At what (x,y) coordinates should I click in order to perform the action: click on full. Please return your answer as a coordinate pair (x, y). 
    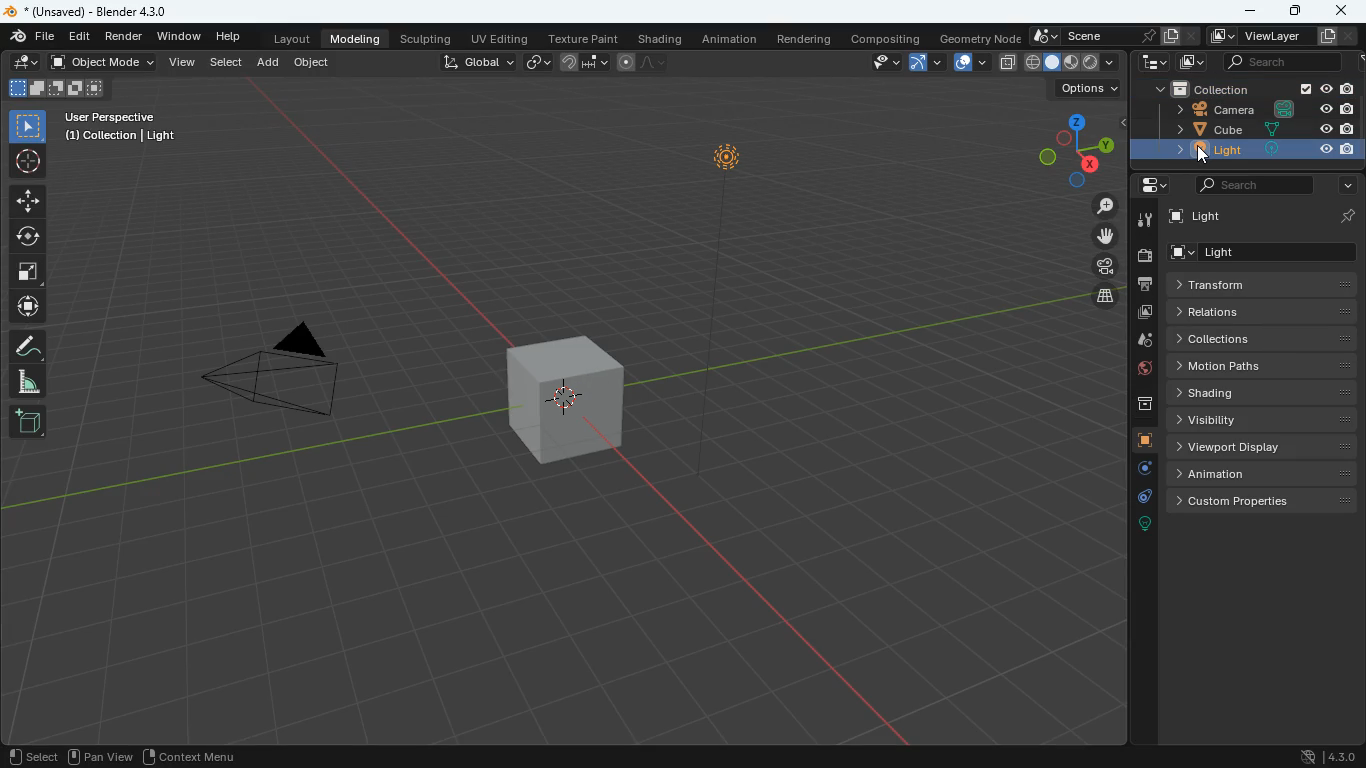
    Looking at the image, I should click on (1050, 63).